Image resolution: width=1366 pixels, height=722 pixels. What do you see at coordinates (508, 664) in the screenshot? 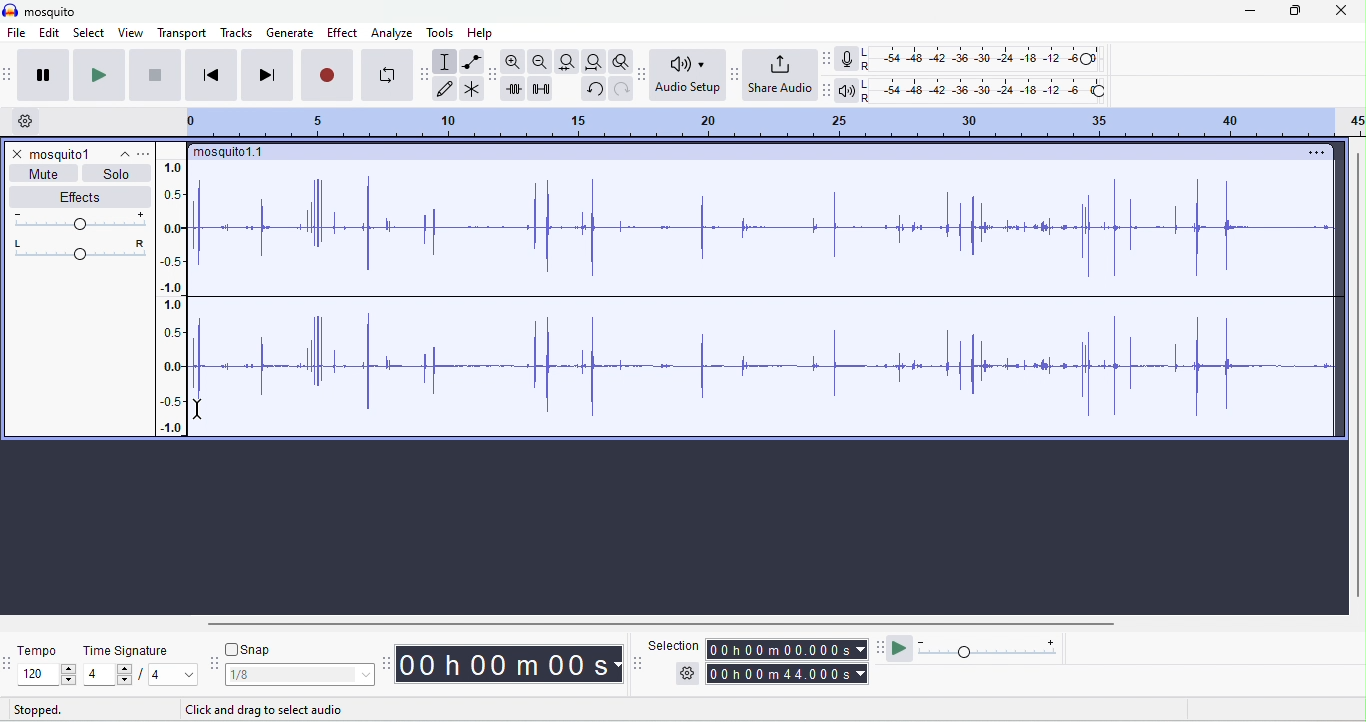
I see `time` at bounding box center [508, 664].